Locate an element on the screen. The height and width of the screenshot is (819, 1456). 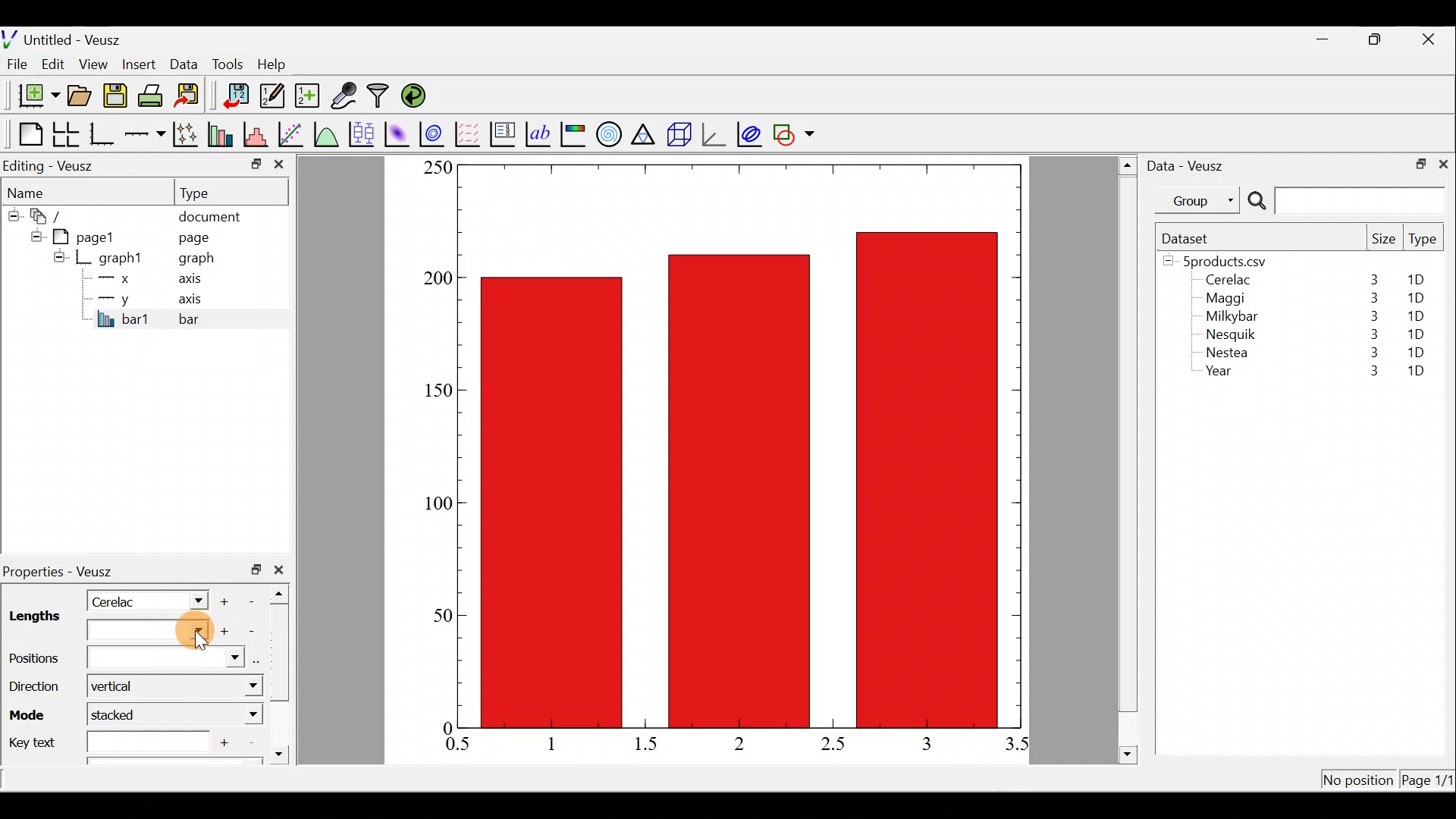
minimize is located at coordinates (1330, 38).